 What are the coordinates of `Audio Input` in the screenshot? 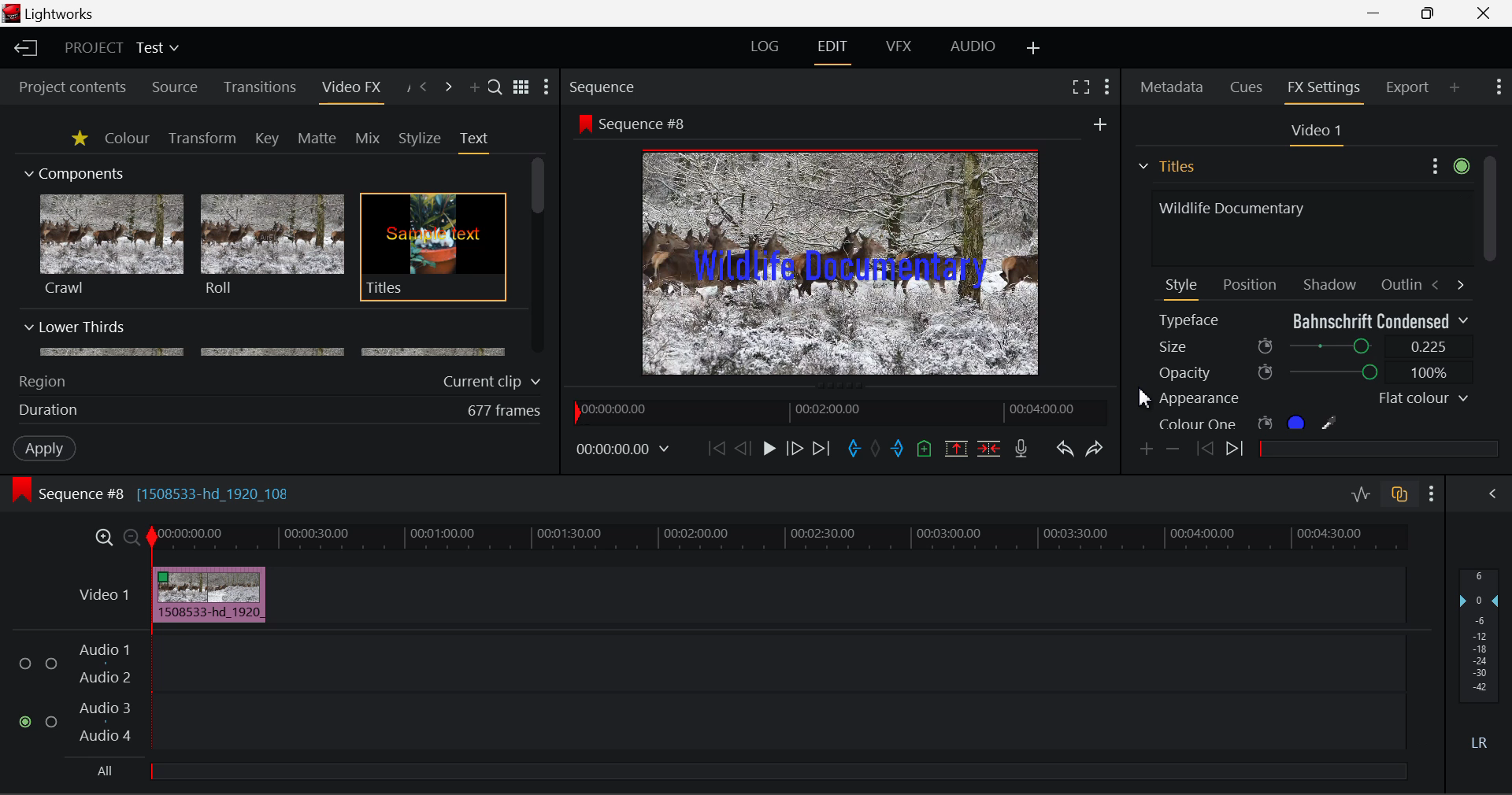 It's located at (776, 695).